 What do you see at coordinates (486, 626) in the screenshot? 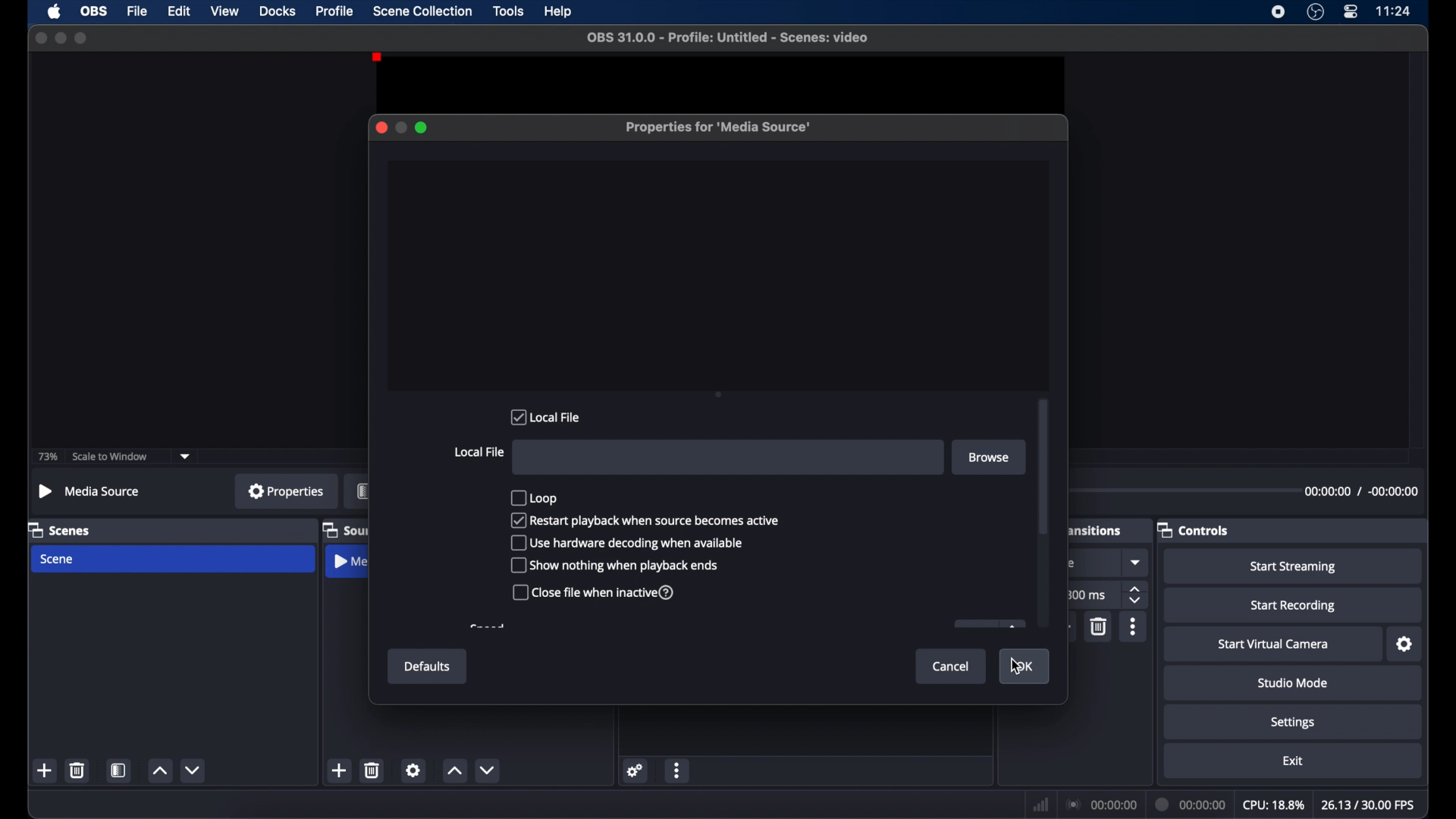
I see `obscure text` at bounding box center [486, 626].